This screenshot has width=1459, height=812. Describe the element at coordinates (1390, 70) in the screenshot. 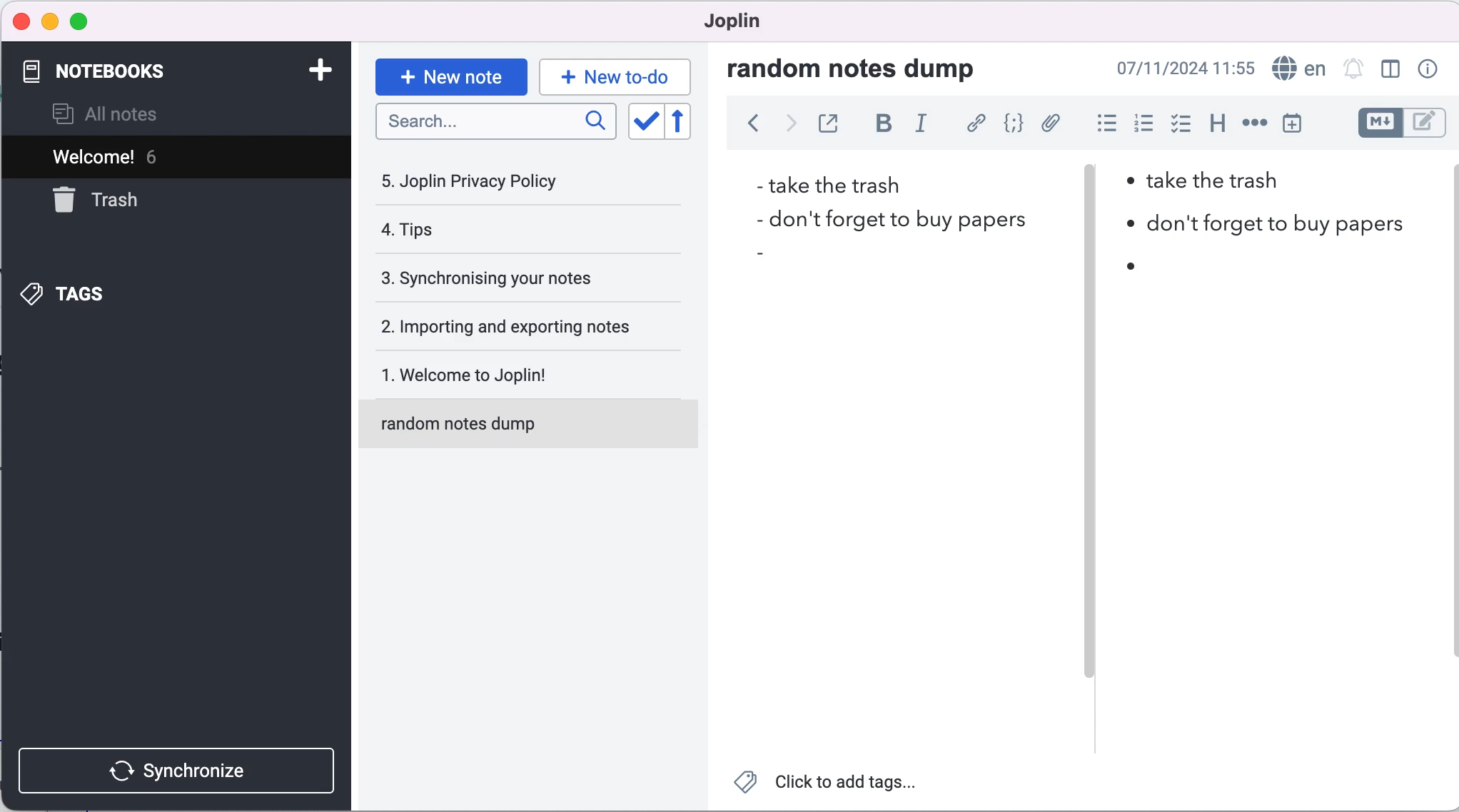

I see `toggle editor layout` at that location.